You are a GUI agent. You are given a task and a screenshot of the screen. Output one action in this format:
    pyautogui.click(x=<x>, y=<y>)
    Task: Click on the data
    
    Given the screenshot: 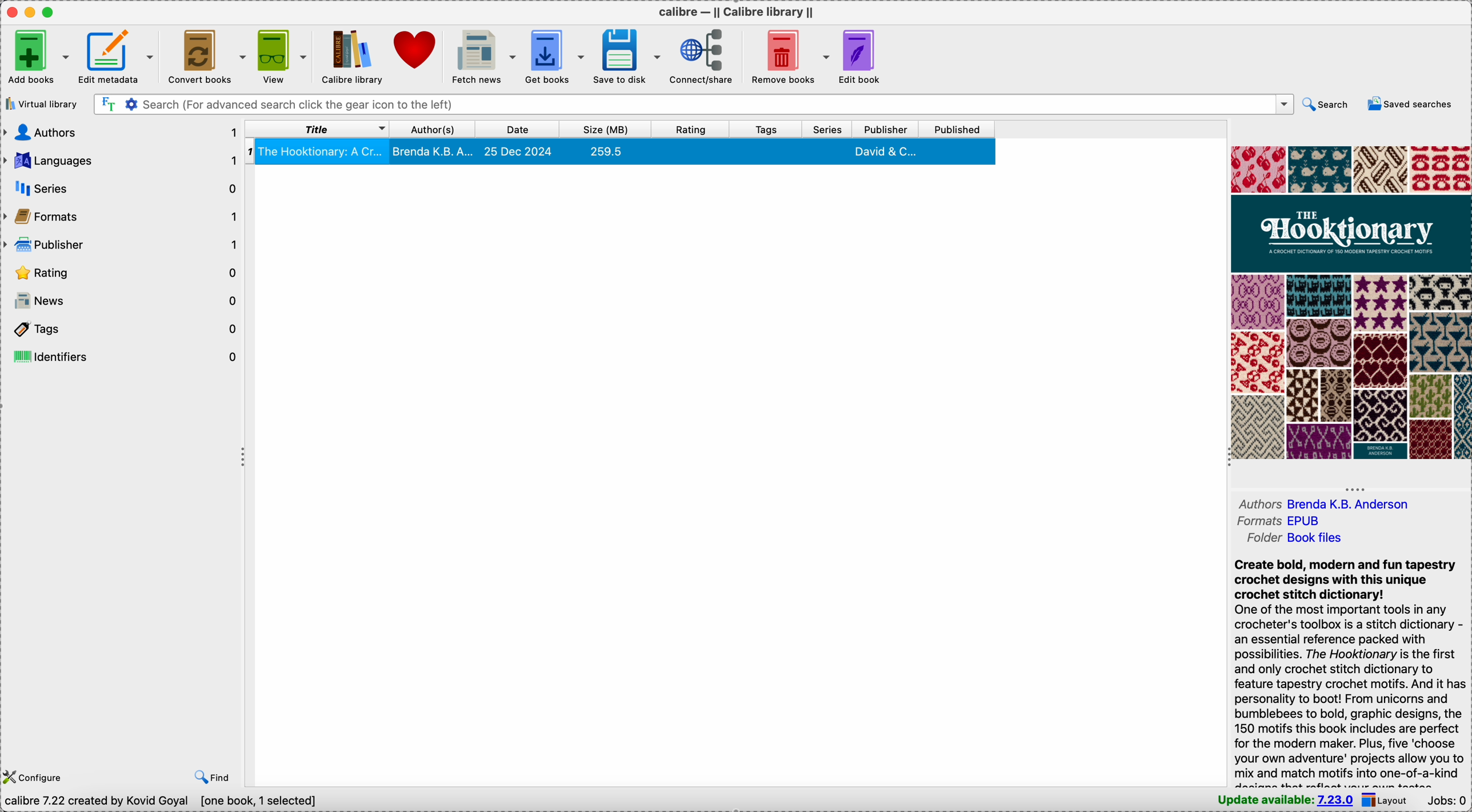 What is the action you would take?
    pyautogui.click(x=163, y=802)
    